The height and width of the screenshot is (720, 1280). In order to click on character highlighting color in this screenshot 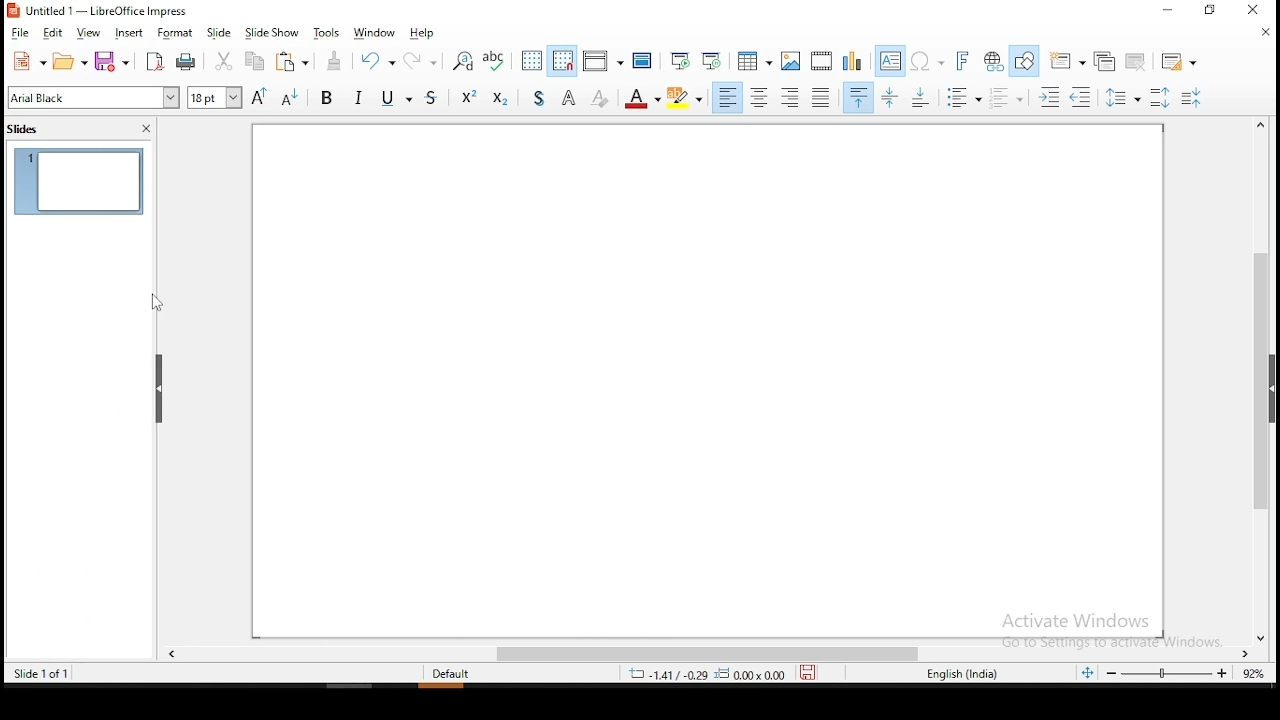, I will do `click(687, 98)`.